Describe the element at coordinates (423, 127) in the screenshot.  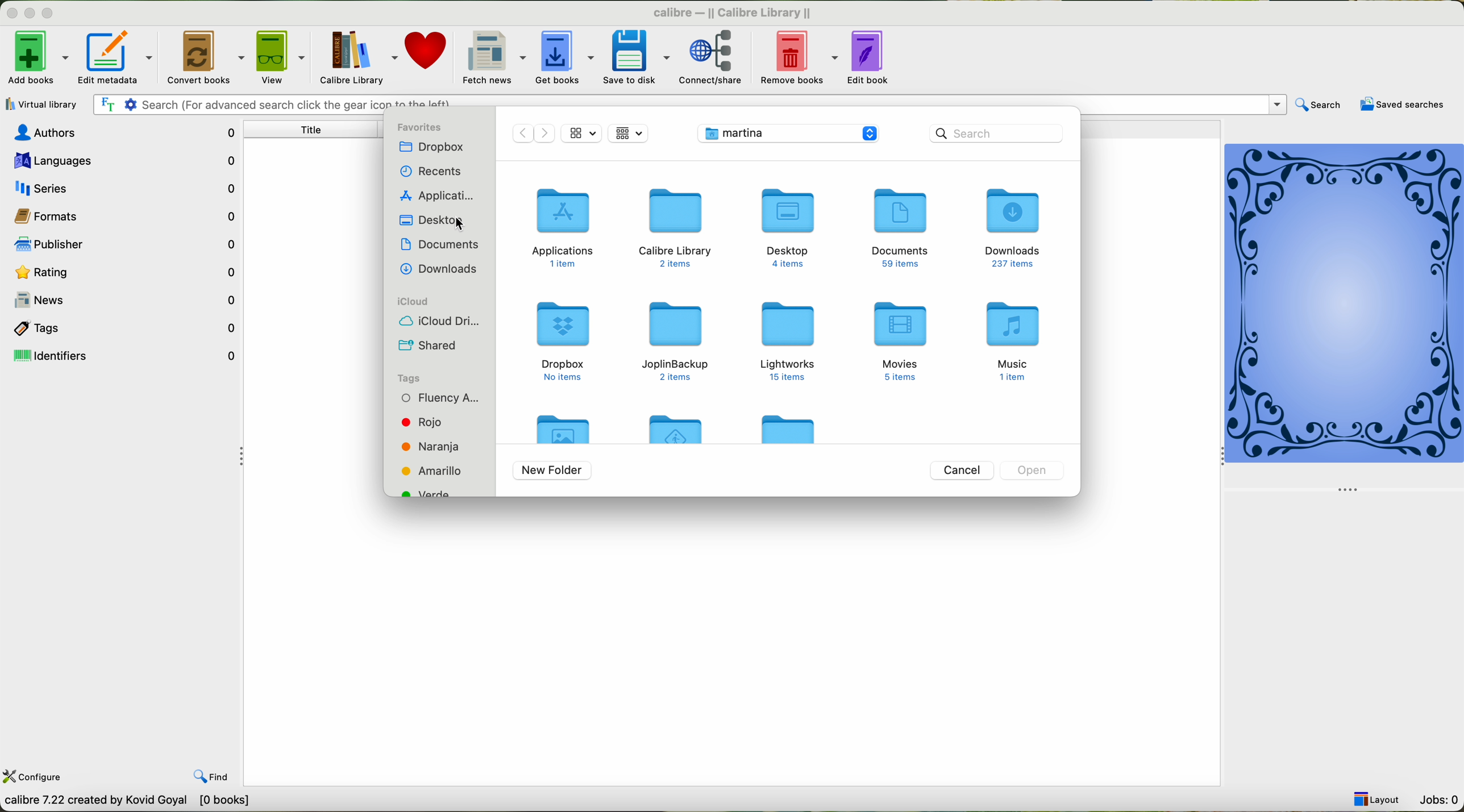
I see `favorites` at that location.